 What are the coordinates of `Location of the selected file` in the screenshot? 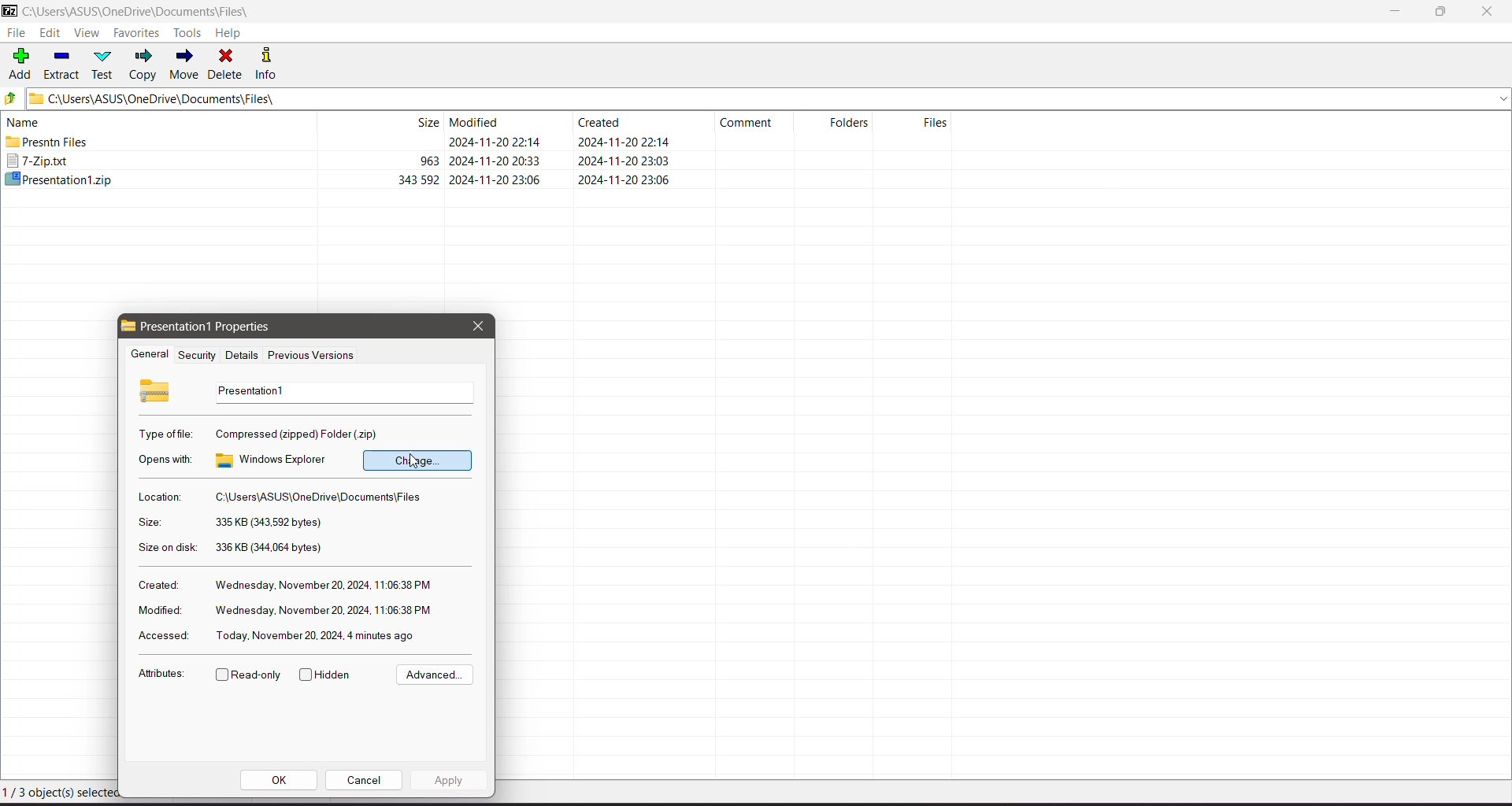 It's located at (323, 497).